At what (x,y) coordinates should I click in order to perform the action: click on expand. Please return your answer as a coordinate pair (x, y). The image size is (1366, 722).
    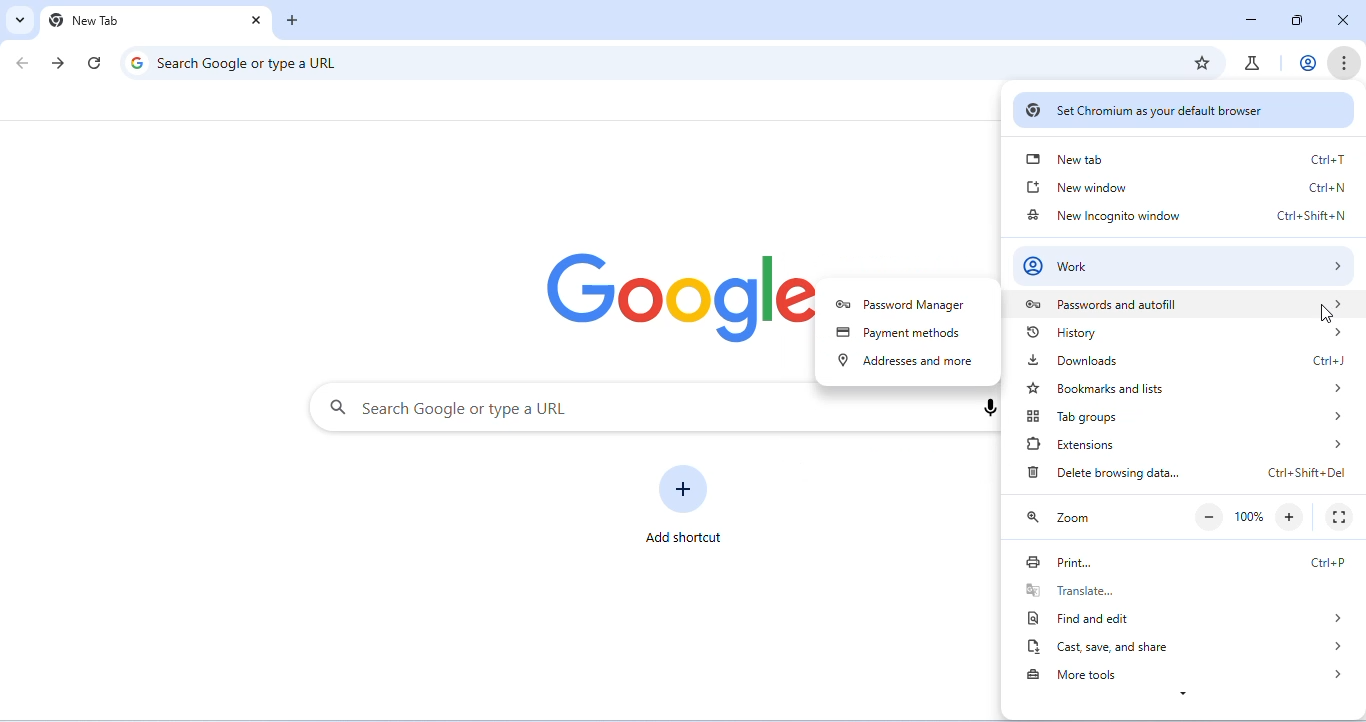
    Looking at the image, I should click on (1187, 697).